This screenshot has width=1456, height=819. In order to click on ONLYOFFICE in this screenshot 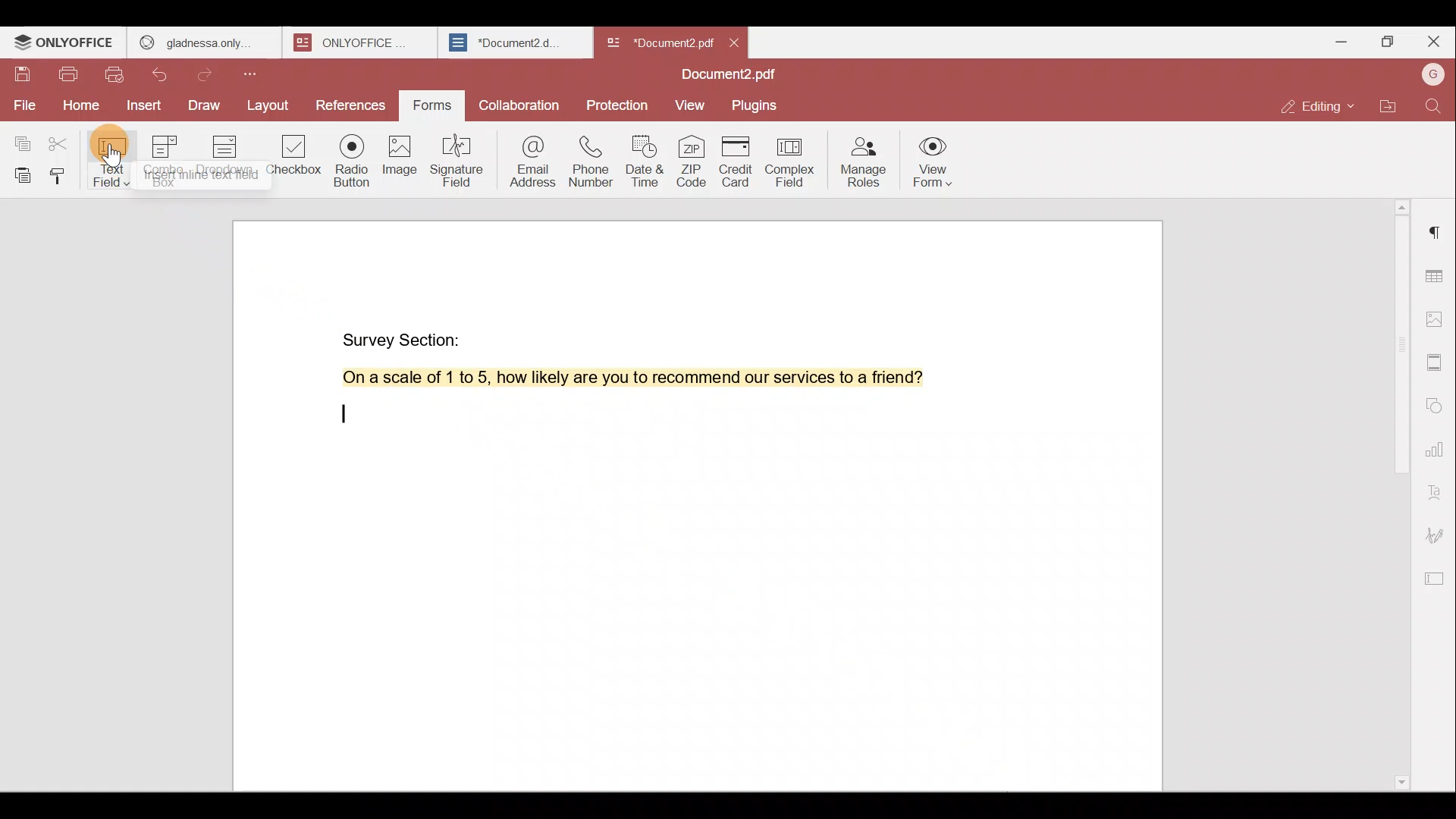, I will do `click(65, 42)`.